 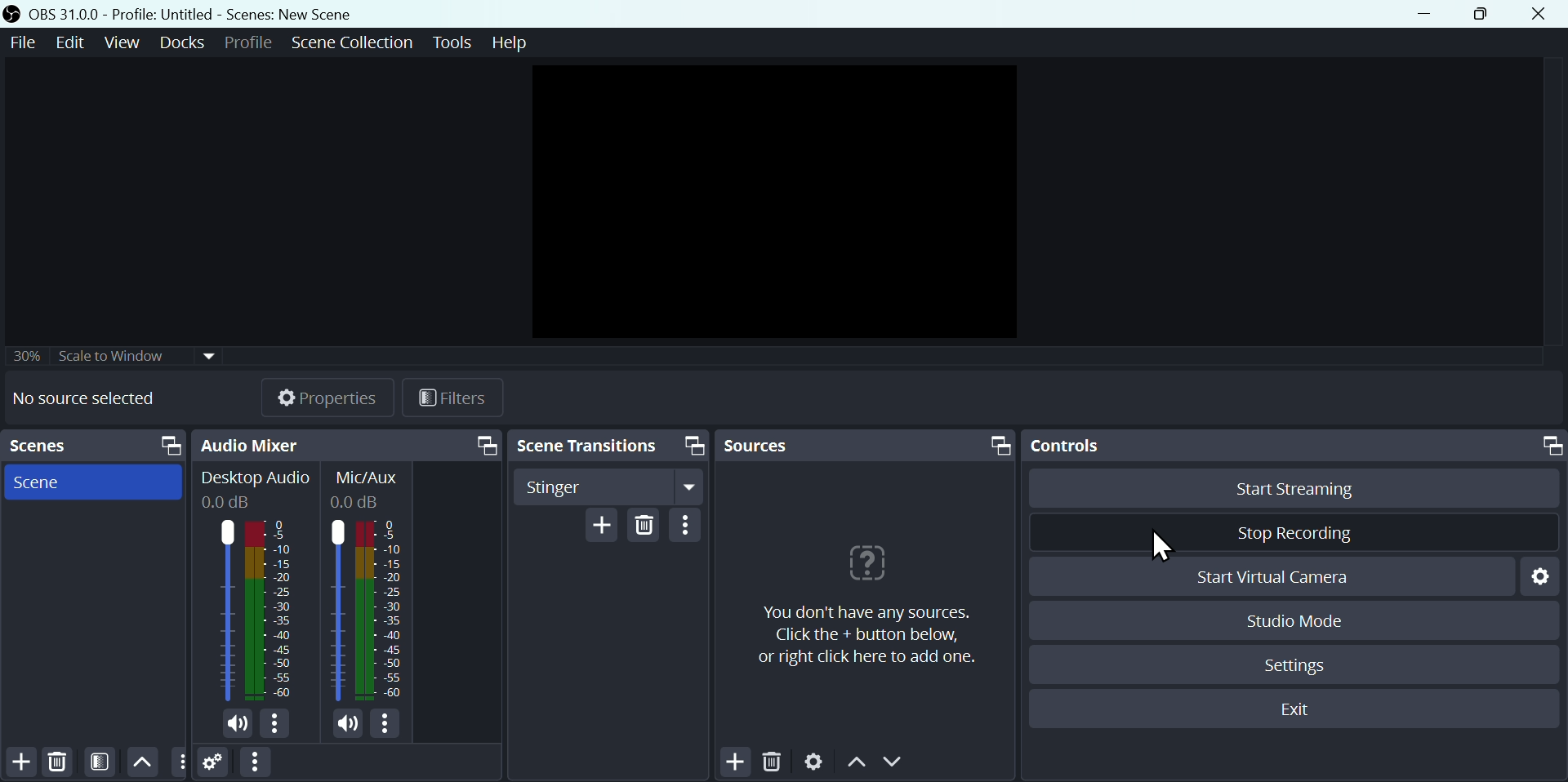 What do you see at coordinates (207, 13) in the screenshot?
I see `OBS 31.0 .0 profile column untitled scenes: new scene` at bounding box center [207, 13].